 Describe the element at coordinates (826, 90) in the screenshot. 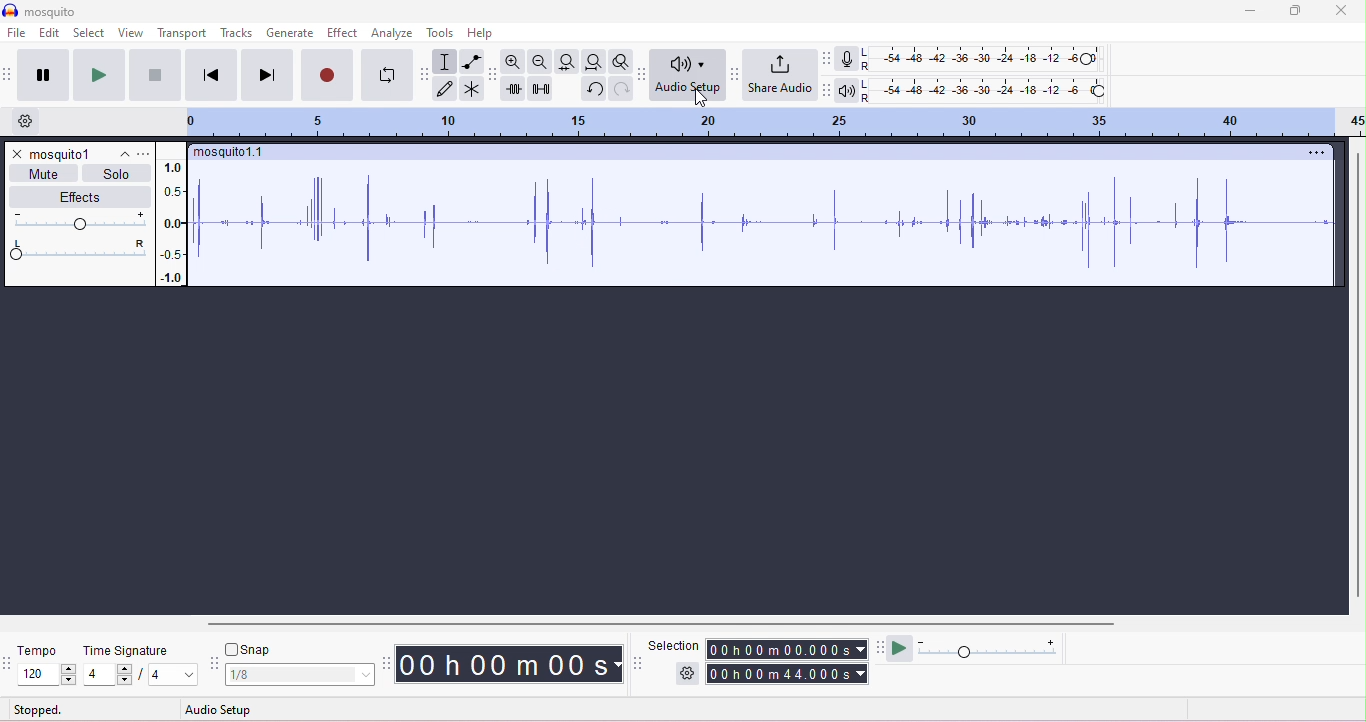

I see `audio set up tool bar` at that location.